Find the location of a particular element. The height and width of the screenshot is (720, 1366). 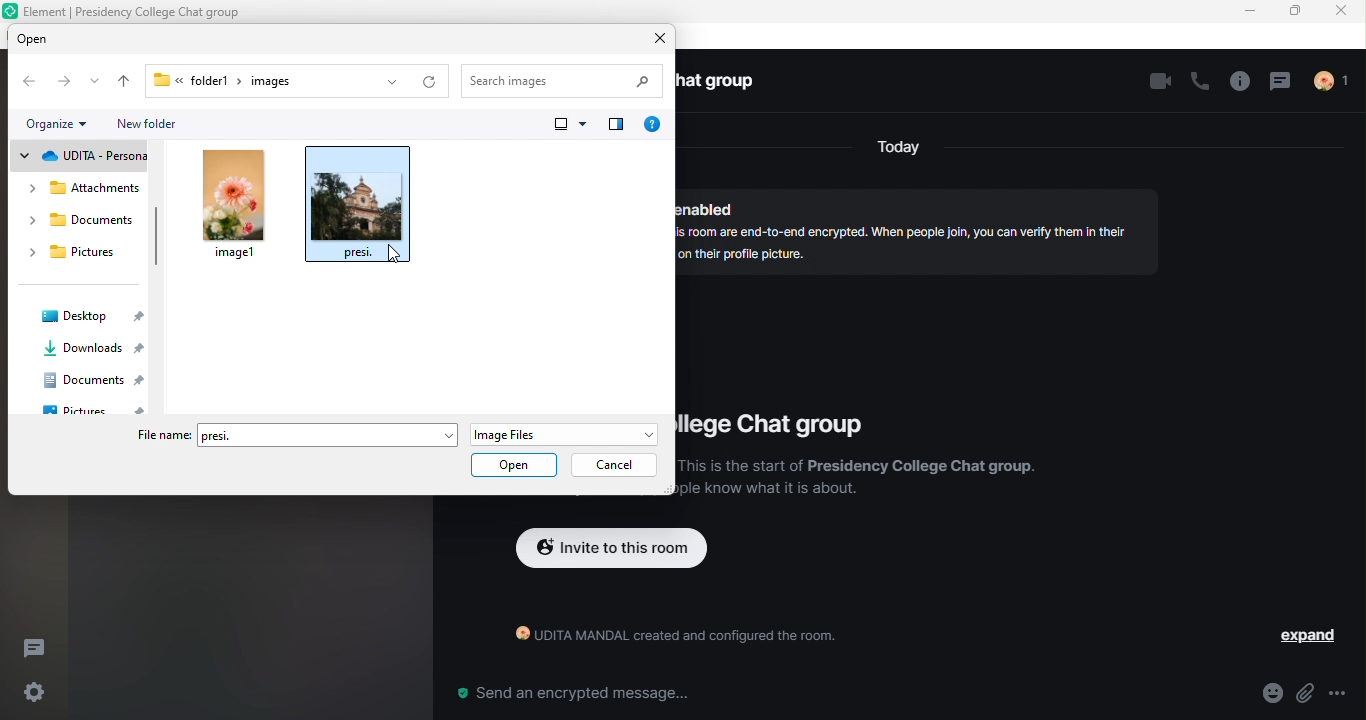

previous location is located at coordinates (388, 82).